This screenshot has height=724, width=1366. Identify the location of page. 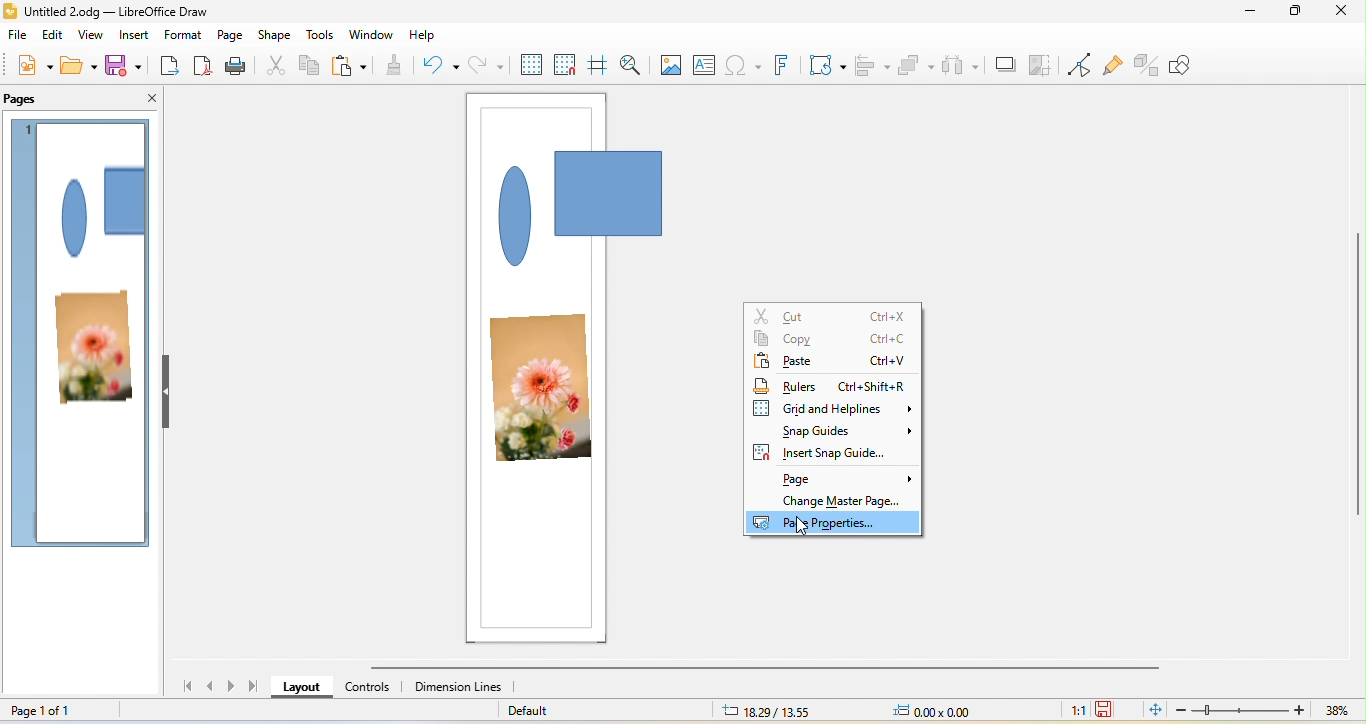
(229, 36).